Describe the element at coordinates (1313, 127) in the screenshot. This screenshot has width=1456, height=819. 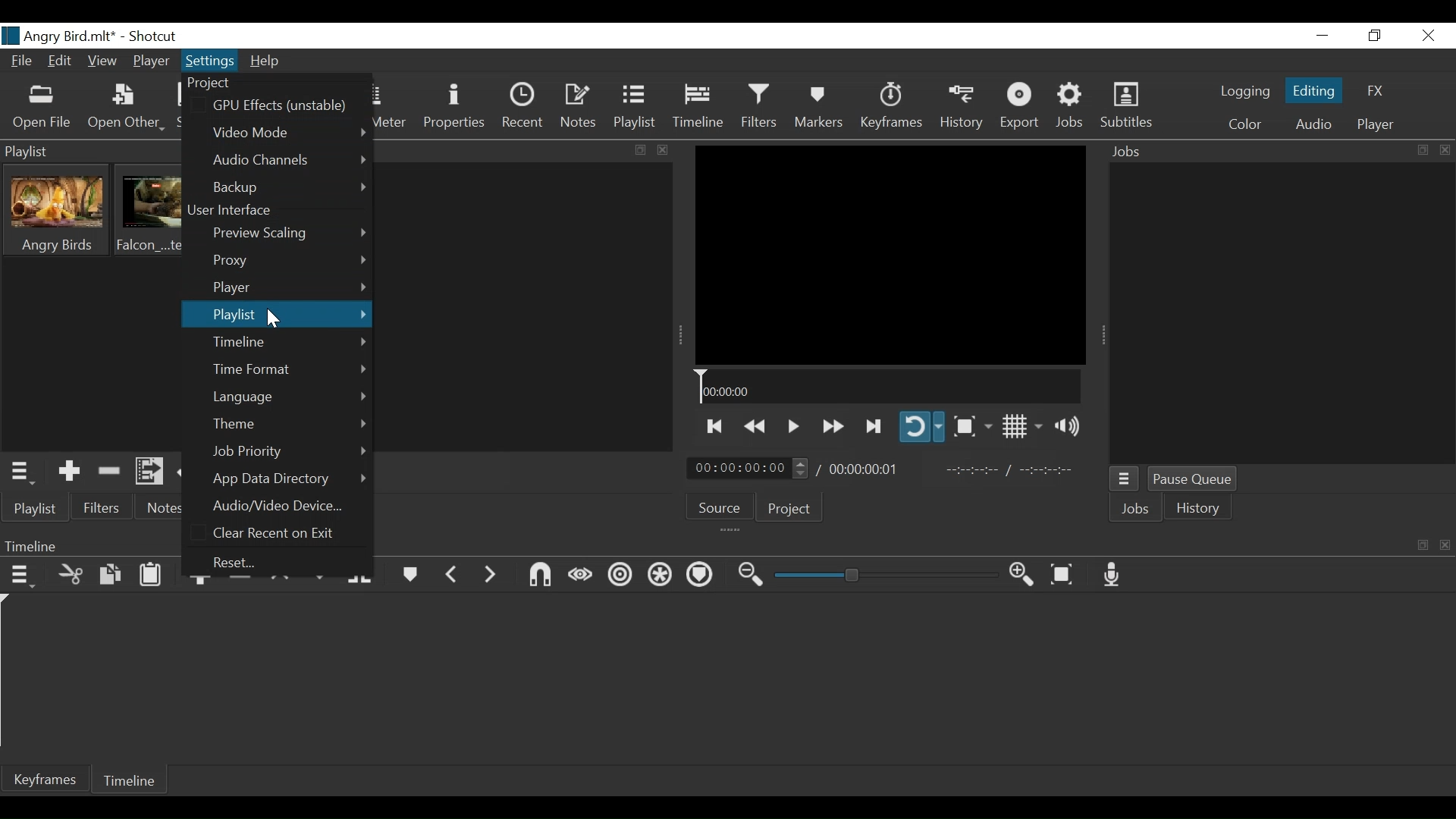
I see `Audio` at that location.